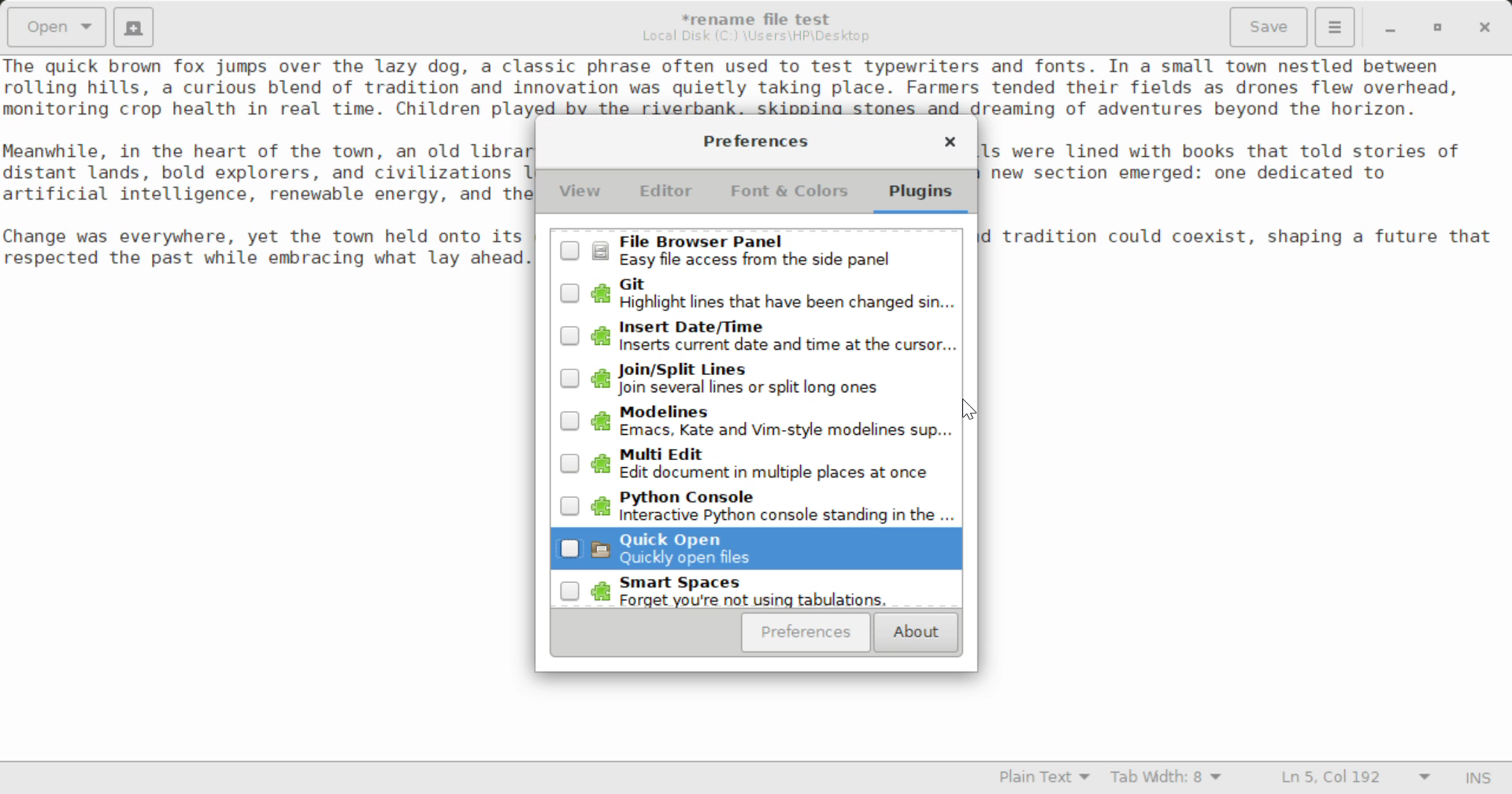 The image size is (1512, 794). What do you see at coordinates (669, 195) in the screenshot?
I see `Editor Tab` at bounding box center [669, 195].